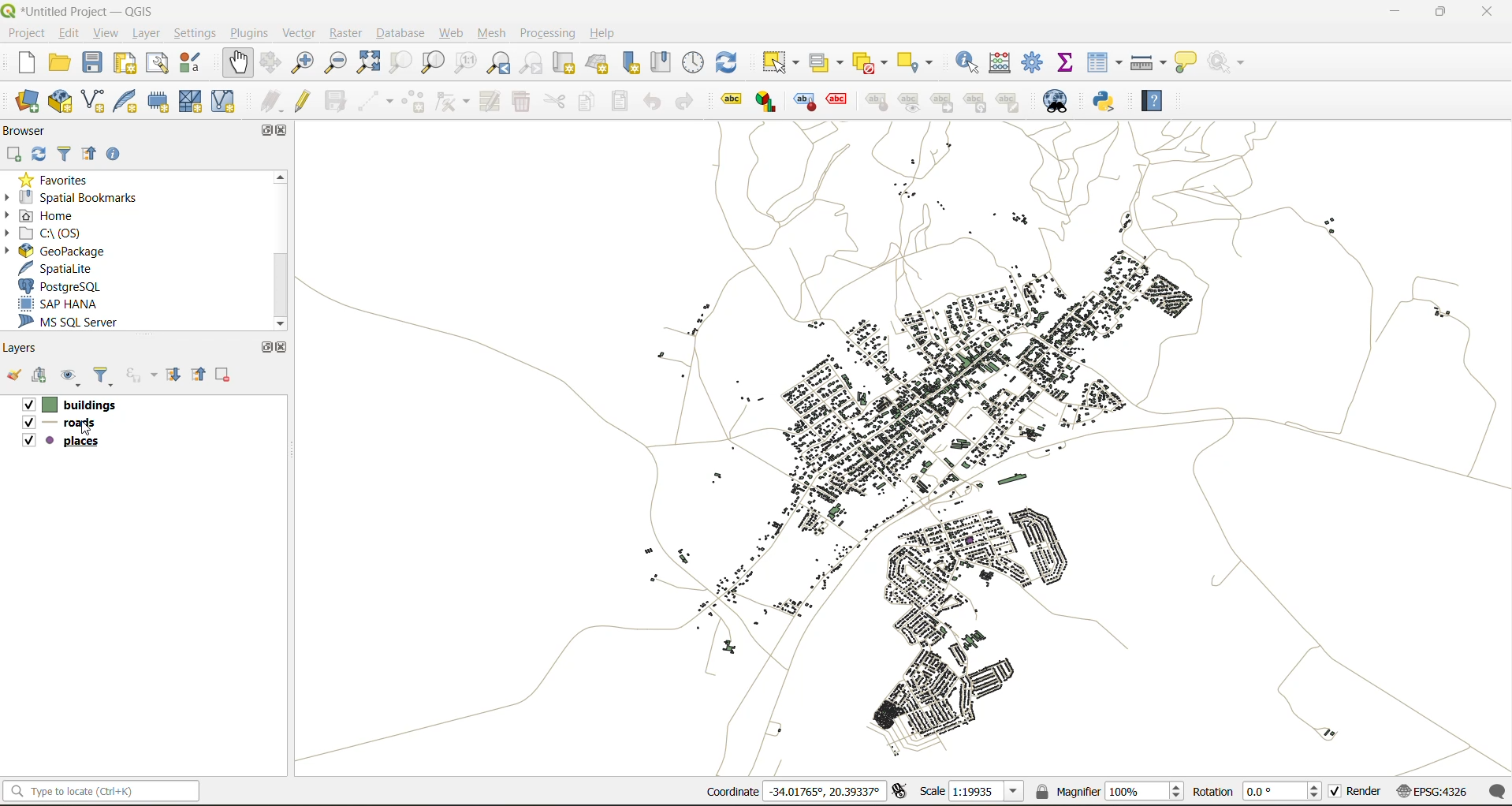 Image resolution: width=1512 pixels, height=806 pixels. Describe the element at coordinates (1357, 790) in the screenshot. I see `render` at that location.